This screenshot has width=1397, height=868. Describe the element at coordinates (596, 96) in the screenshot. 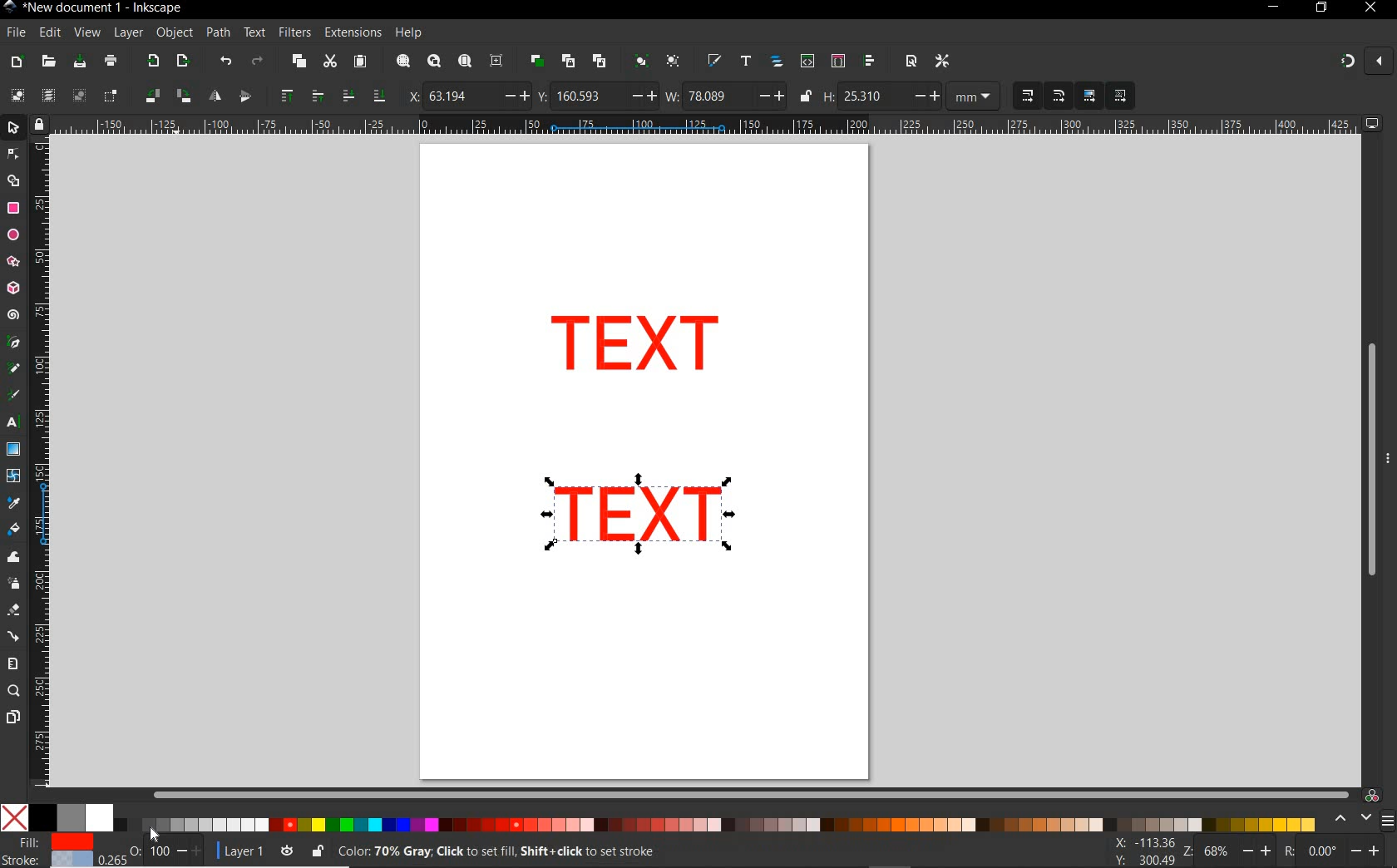

I see `vertical coordinate of selection` at that location.